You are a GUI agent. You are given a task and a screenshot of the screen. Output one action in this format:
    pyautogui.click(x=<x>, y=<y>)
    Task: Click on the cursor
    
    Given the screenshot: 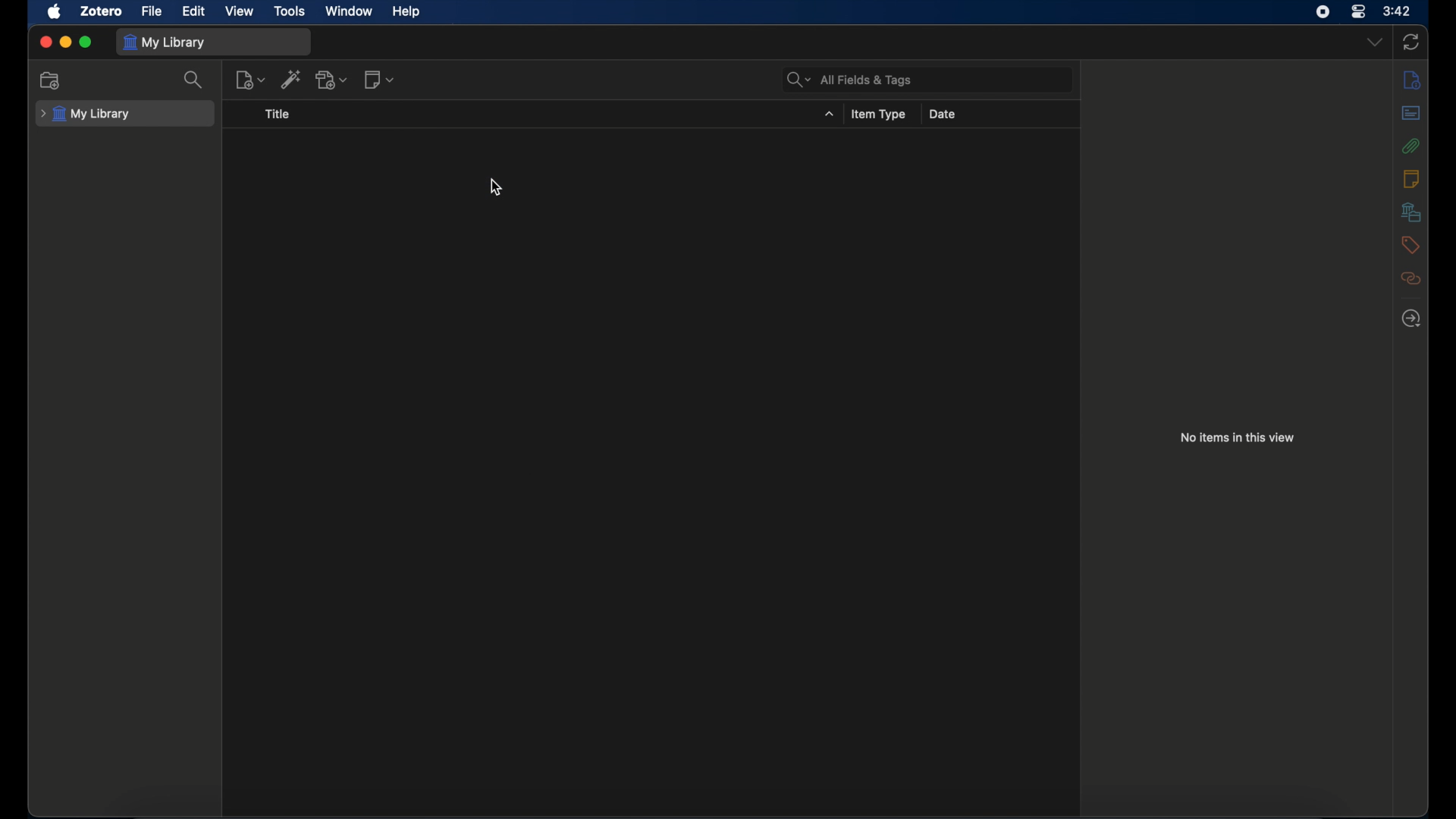 What is the action you would take?
    pyautogui.click(x=496, y=188)
    